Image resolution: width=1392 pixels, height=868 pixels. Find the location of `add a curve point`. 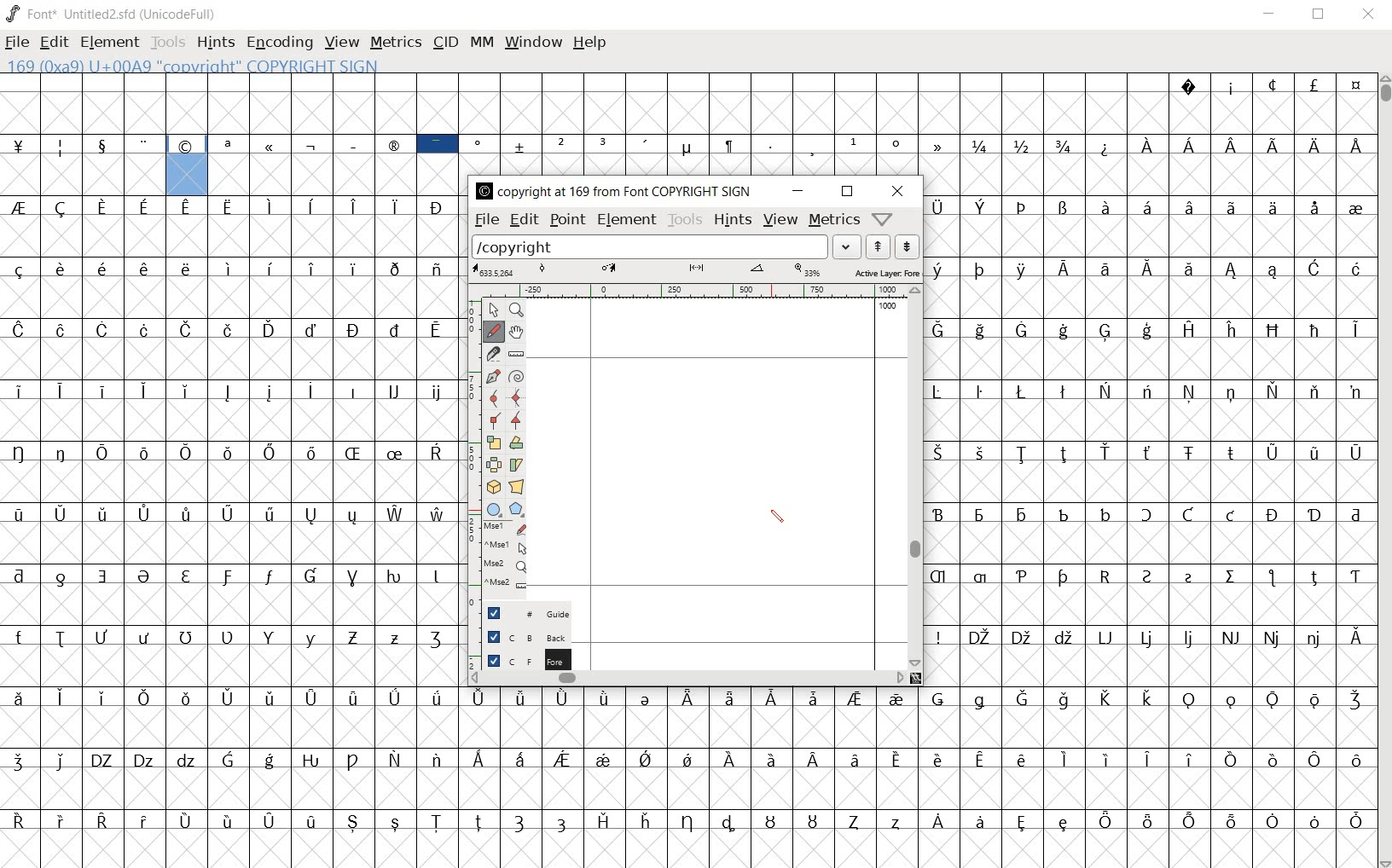

add a curve point is located at coordinates (495, 397).